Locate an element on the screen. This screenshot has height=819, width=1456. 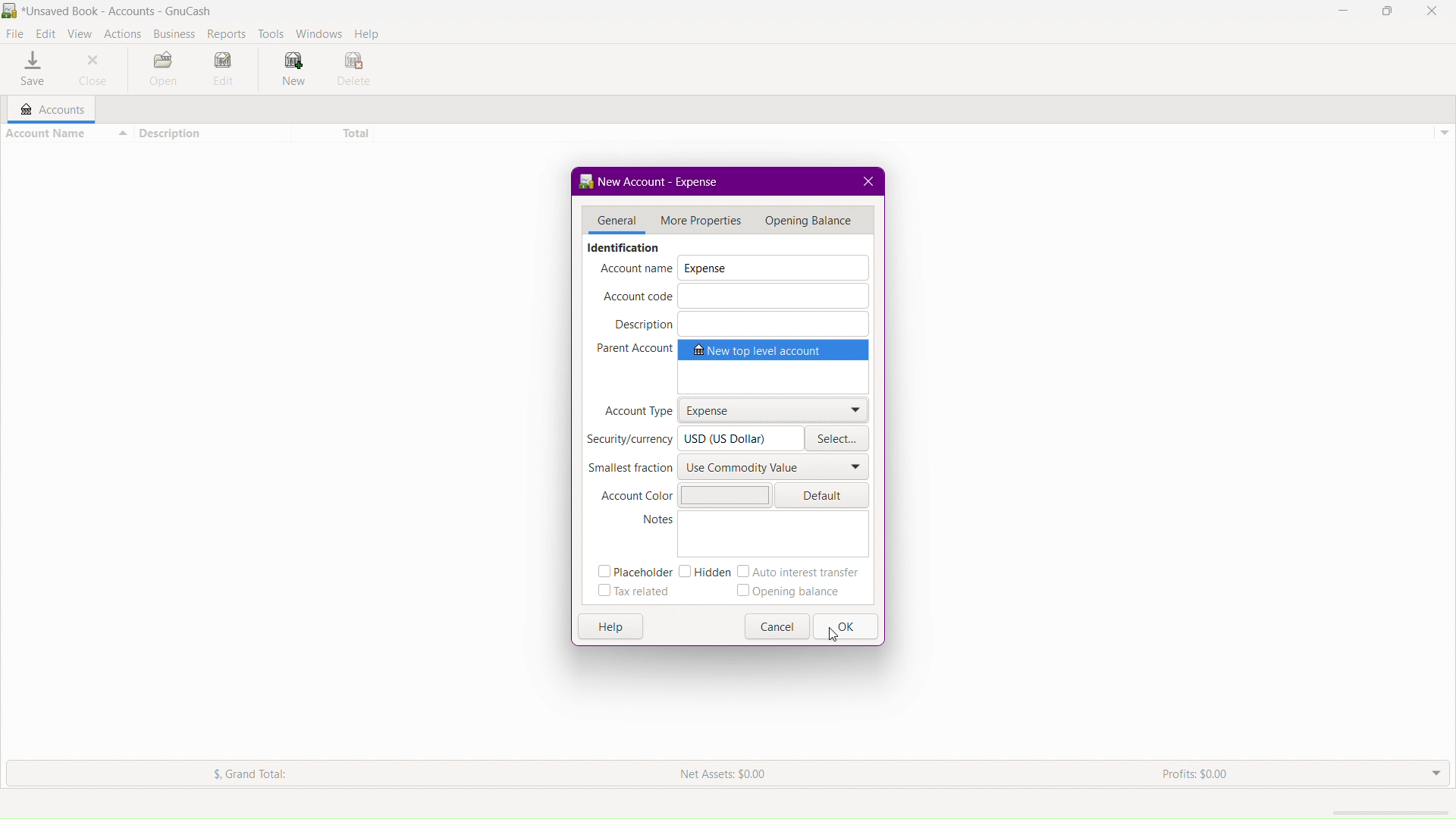
Open is located at coordinates (163, 71).